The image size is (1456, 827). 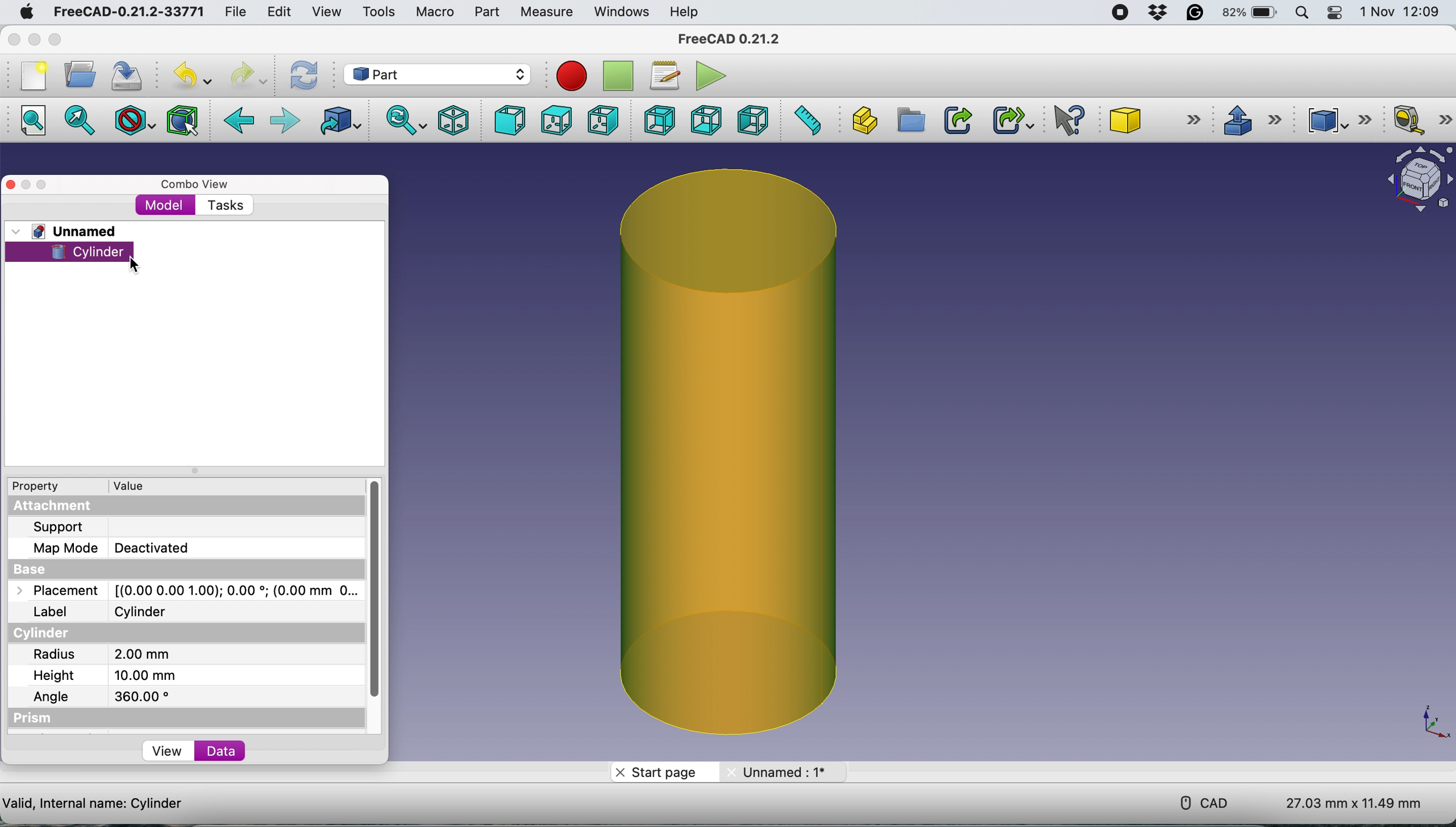 I want to click on cursor, so click(x=132, y=265).